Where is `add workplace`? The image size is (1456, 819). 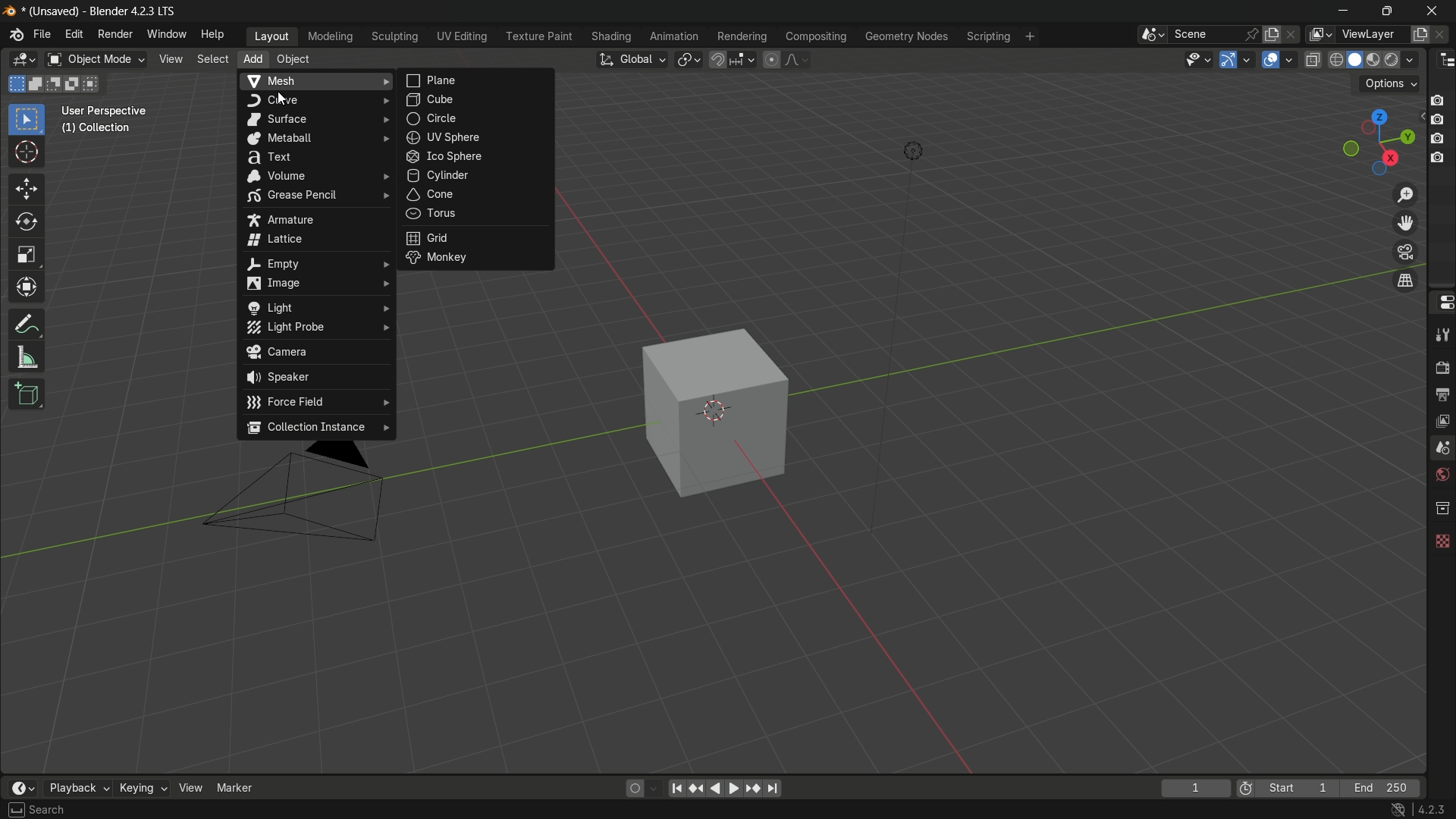 add workplace is located at coordinates (1030, 37).